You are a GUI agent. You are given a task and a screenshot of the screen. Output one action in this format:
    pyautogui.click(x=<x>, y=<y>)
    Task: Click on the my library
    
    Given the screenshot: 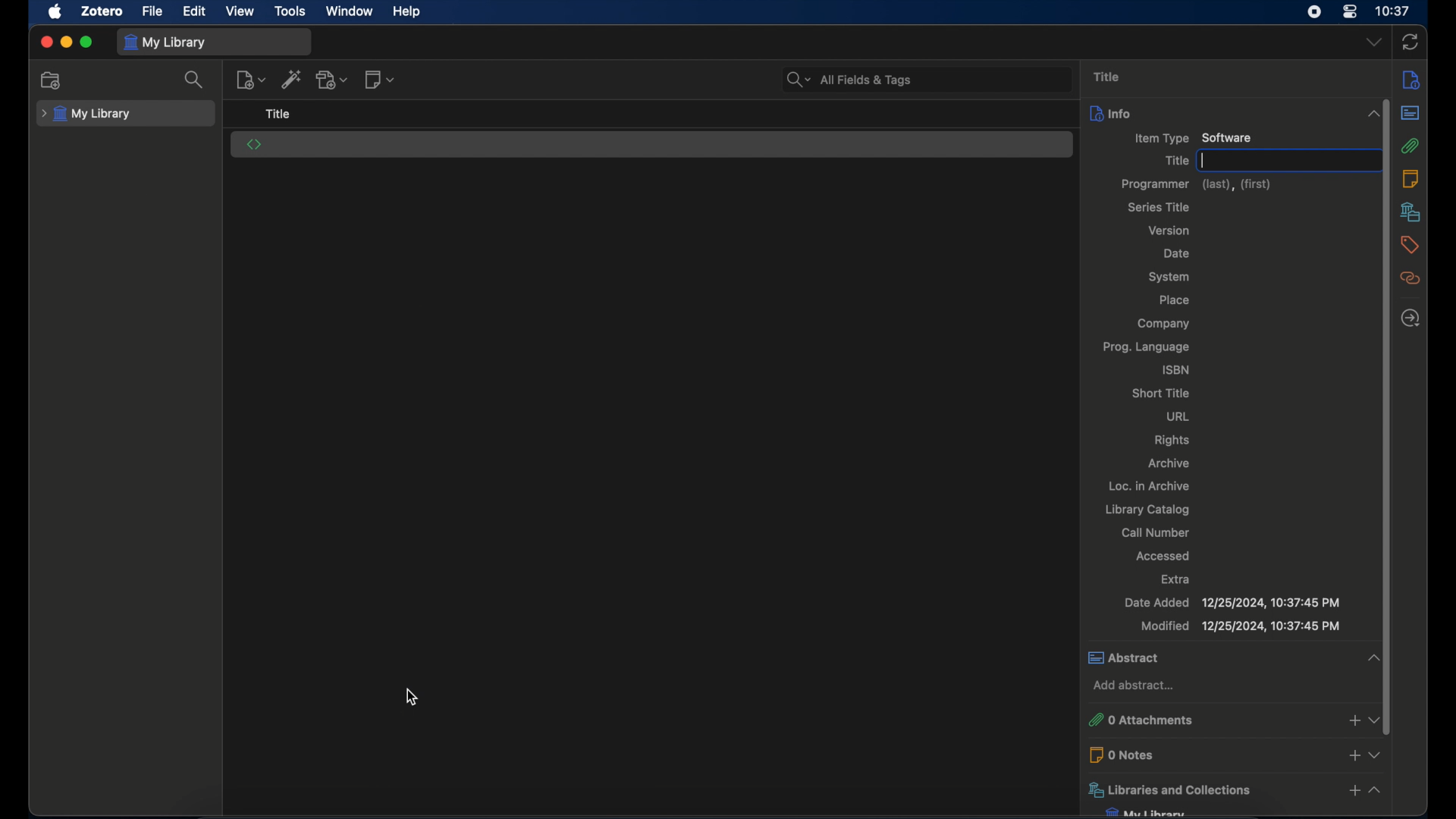 What is the action you would take?
    pyautogui.click(x=86, y=114)
    